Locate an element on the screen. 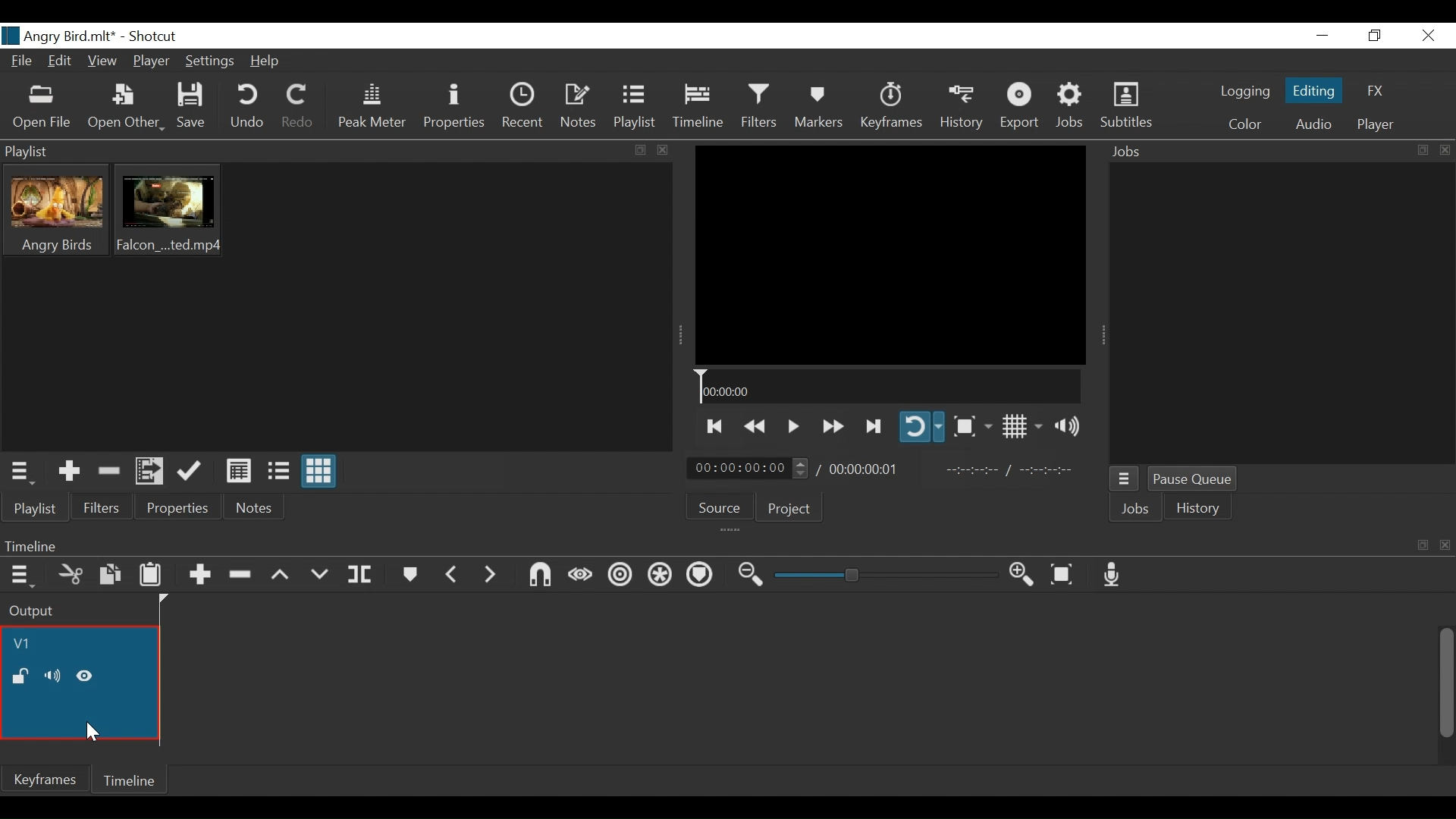 The image size is (1456, 819). Update is located at coordinates (187, 472).